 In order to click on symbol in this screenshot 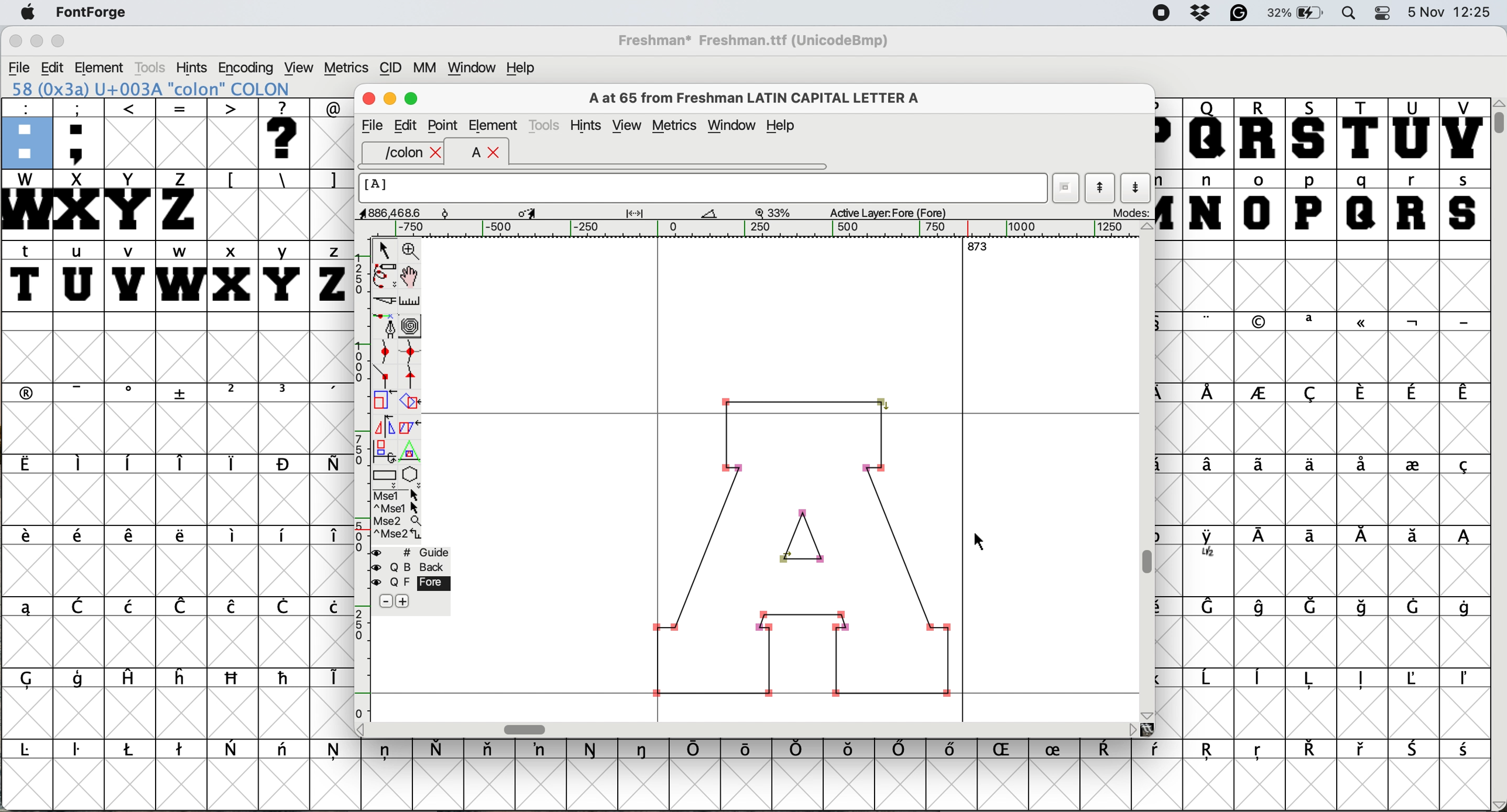, I will do `click(336, 753)`.